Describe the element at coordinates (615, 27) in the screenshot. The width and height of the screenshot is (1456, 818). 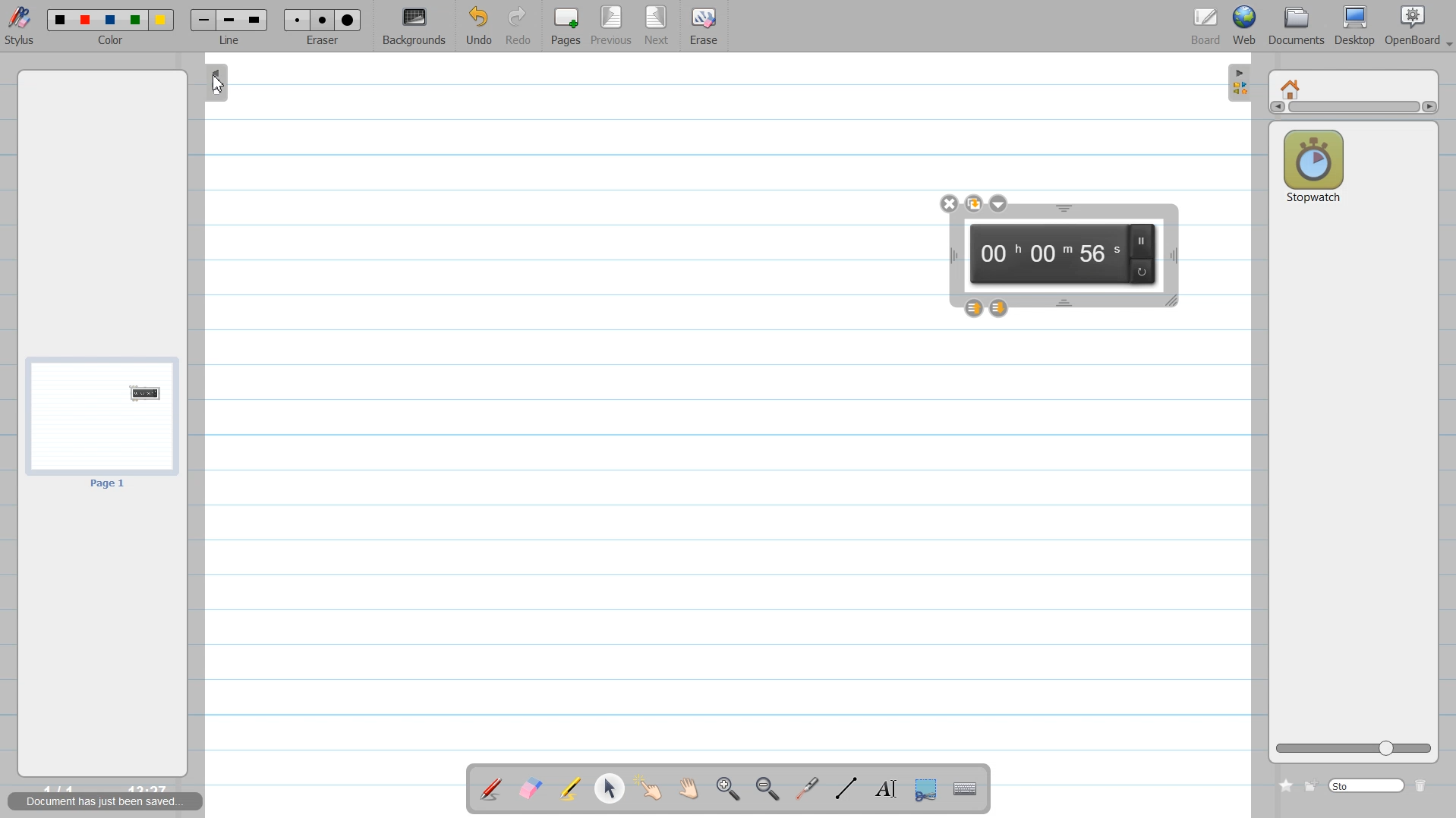
I see `Previous` at that location.